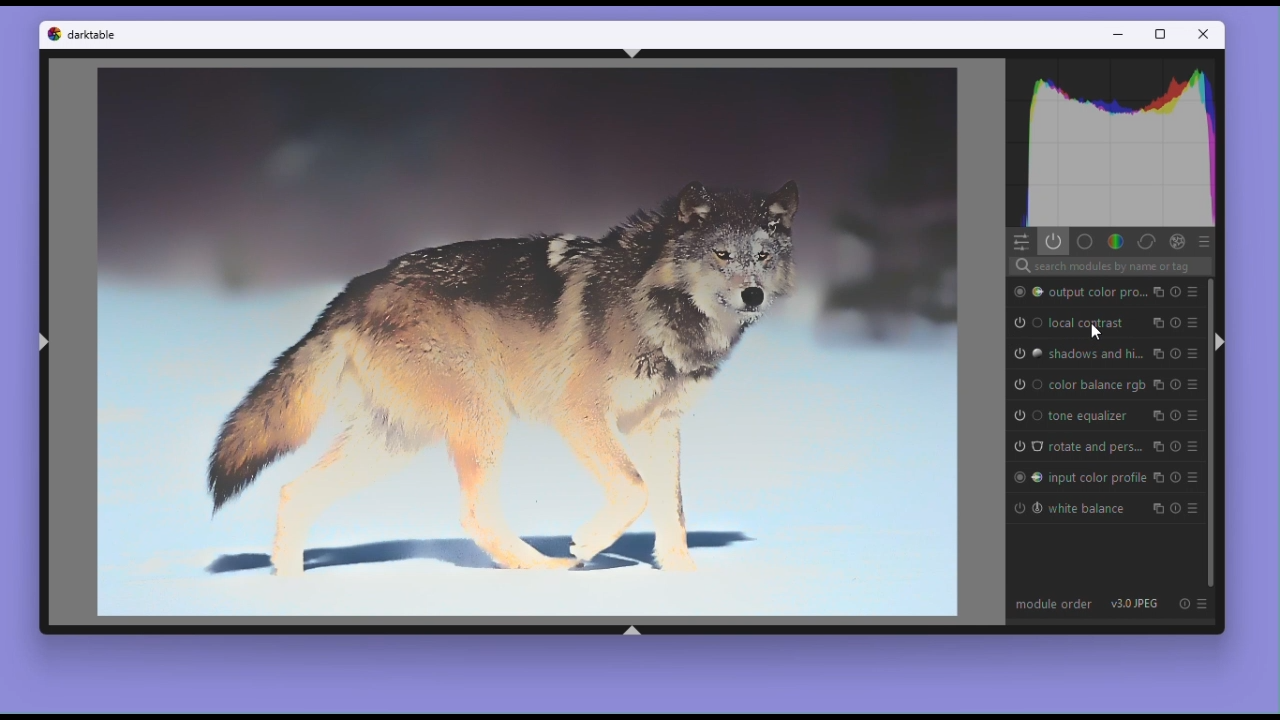  What do you see at coordinates (1203, 241) in the screenshot?
I see `Preset` at bounding box center [1203, 241].